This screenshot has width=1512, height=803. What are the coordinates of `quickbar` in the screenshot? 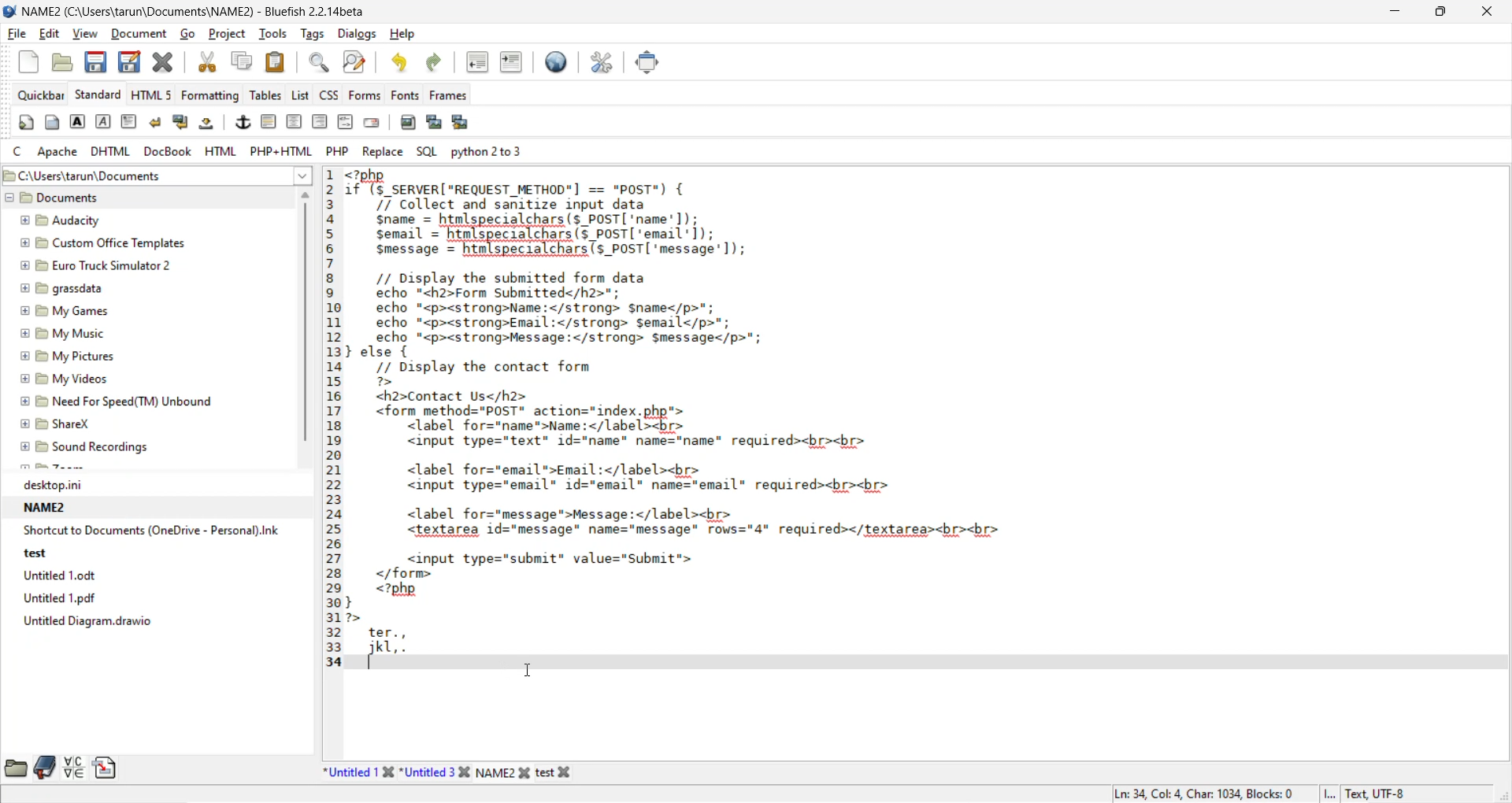 It's located at (42, 95).